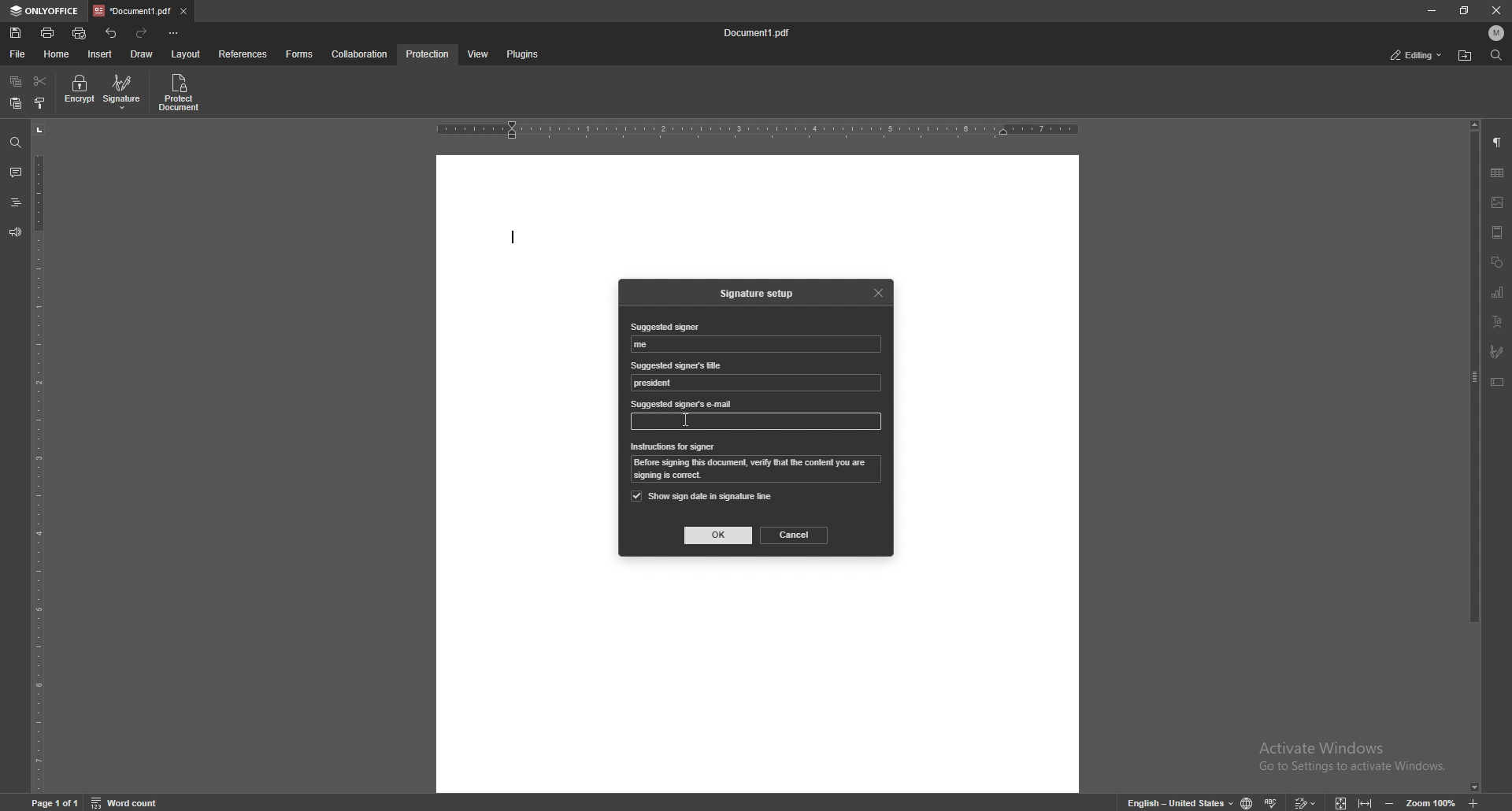 Image resolution: width=1512 pixels, height=811 pixels. Describe the element at coordinates (1303, 801) in the screenshot. I see `track changes` at that location.